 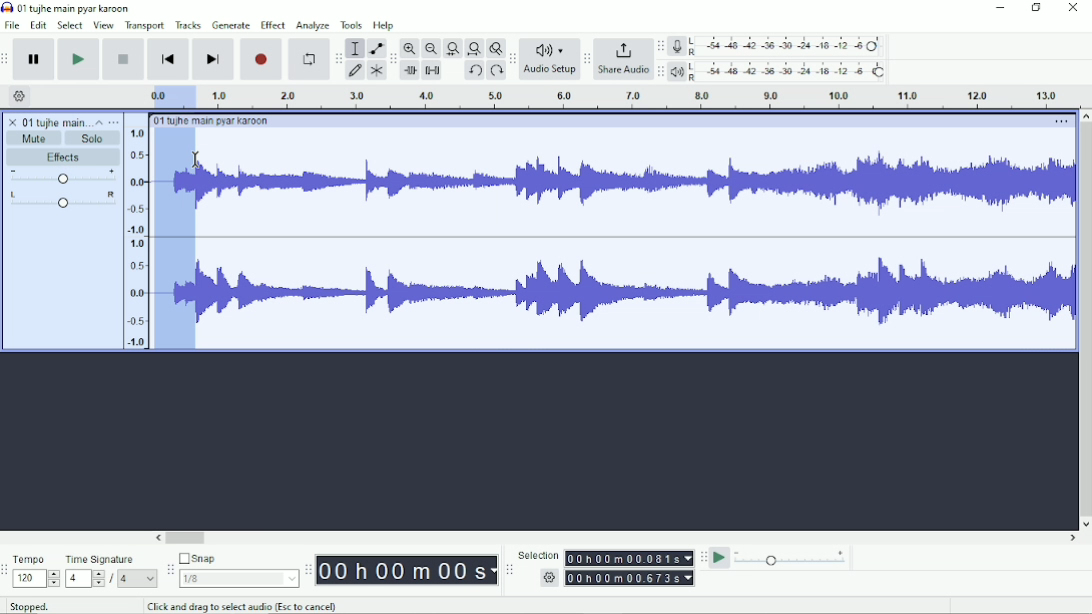 What do you see at coordinates (507, 570) in the screenshot?
I see `Audacity selection toolbar` at bounding box center [507, 570].